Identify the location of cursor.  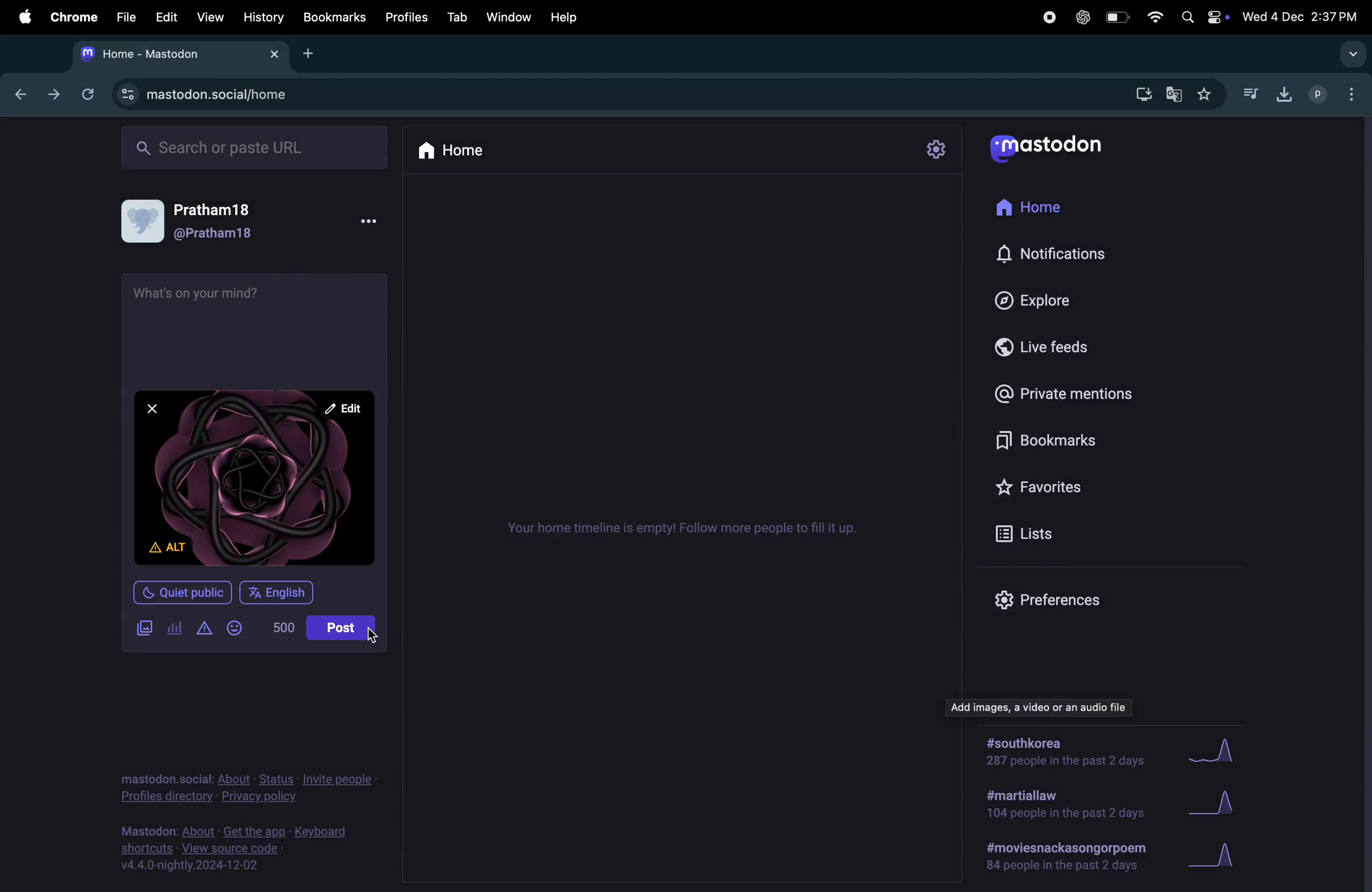
(372, 636).